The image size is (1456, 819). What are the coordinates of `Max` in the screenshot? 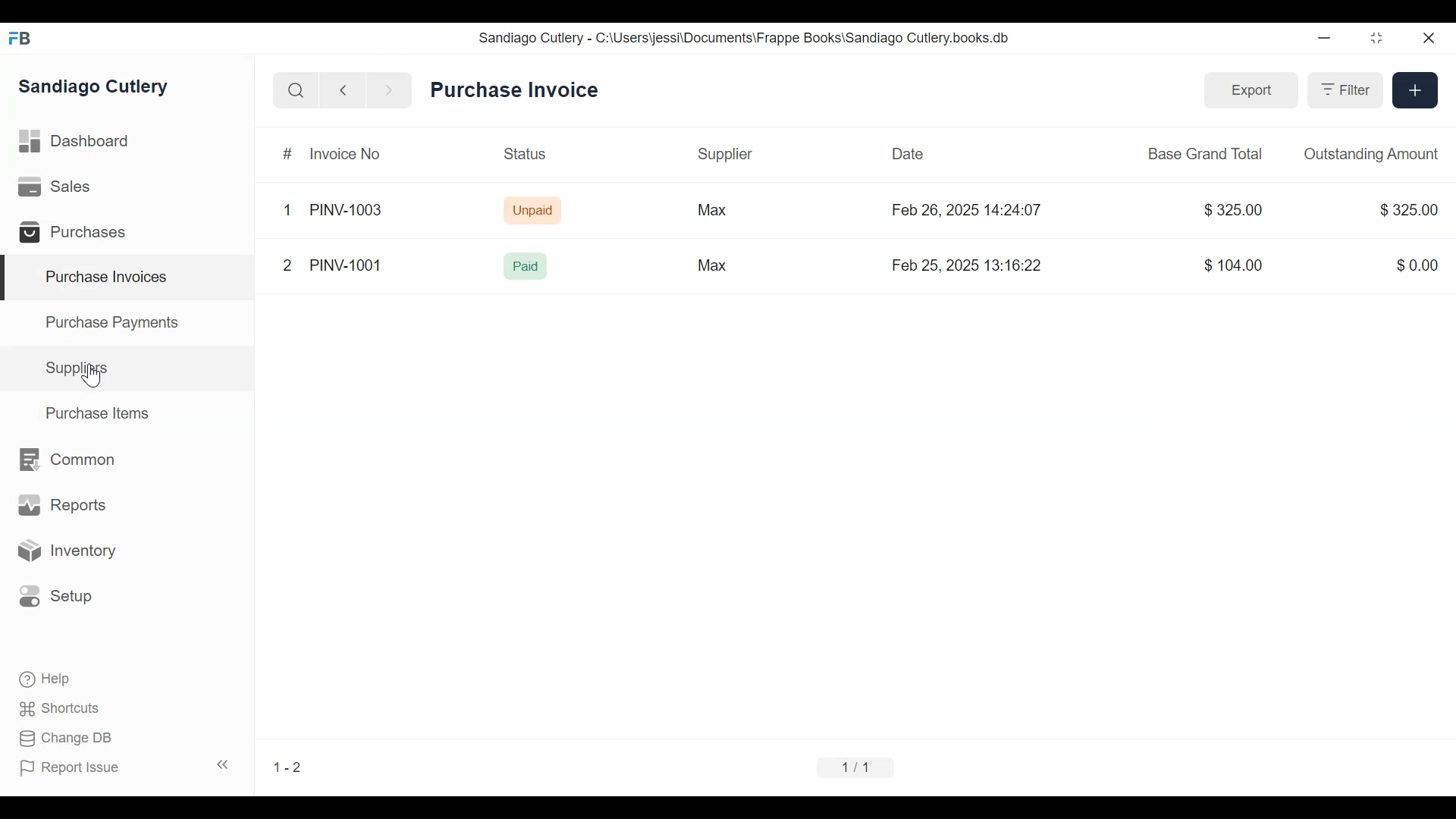 It's located at (709, 268).